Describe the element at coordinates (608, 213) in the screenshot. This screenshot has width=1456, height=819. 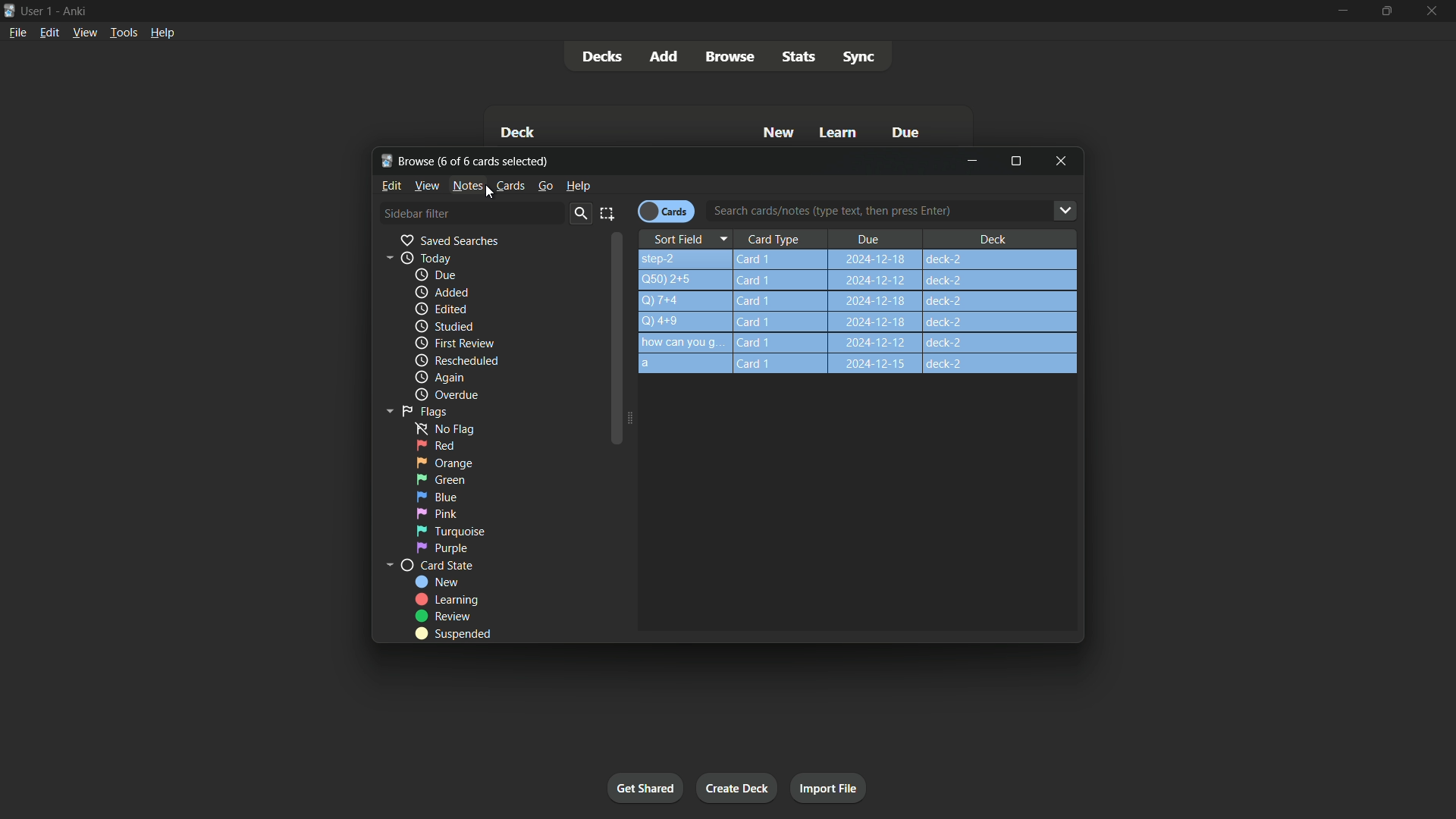
I see `select` at that location.